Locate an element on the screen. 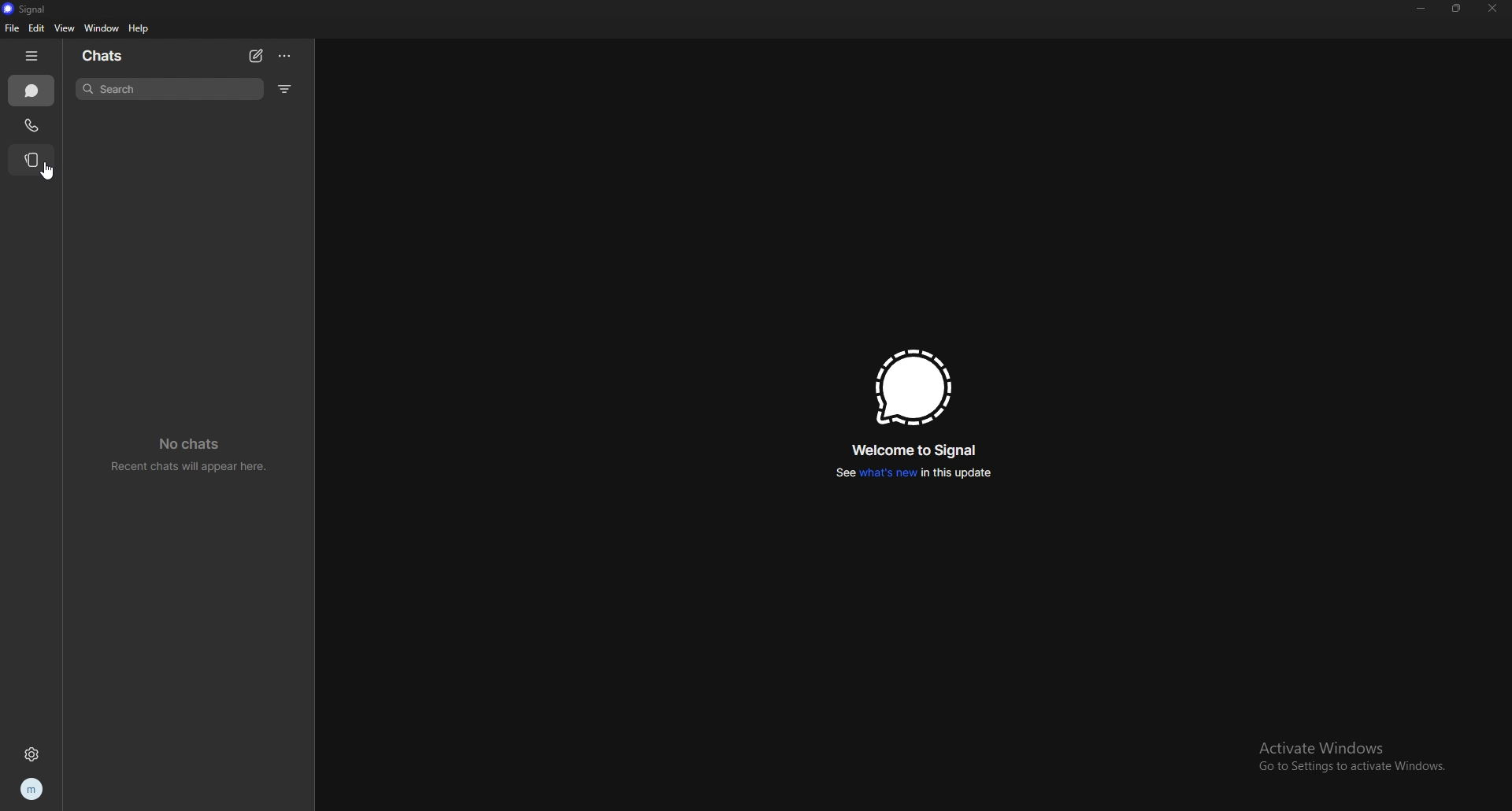 Image resolution: width=1512 pixels, height=811 pixels. chats is located at coordinates (105, 57).